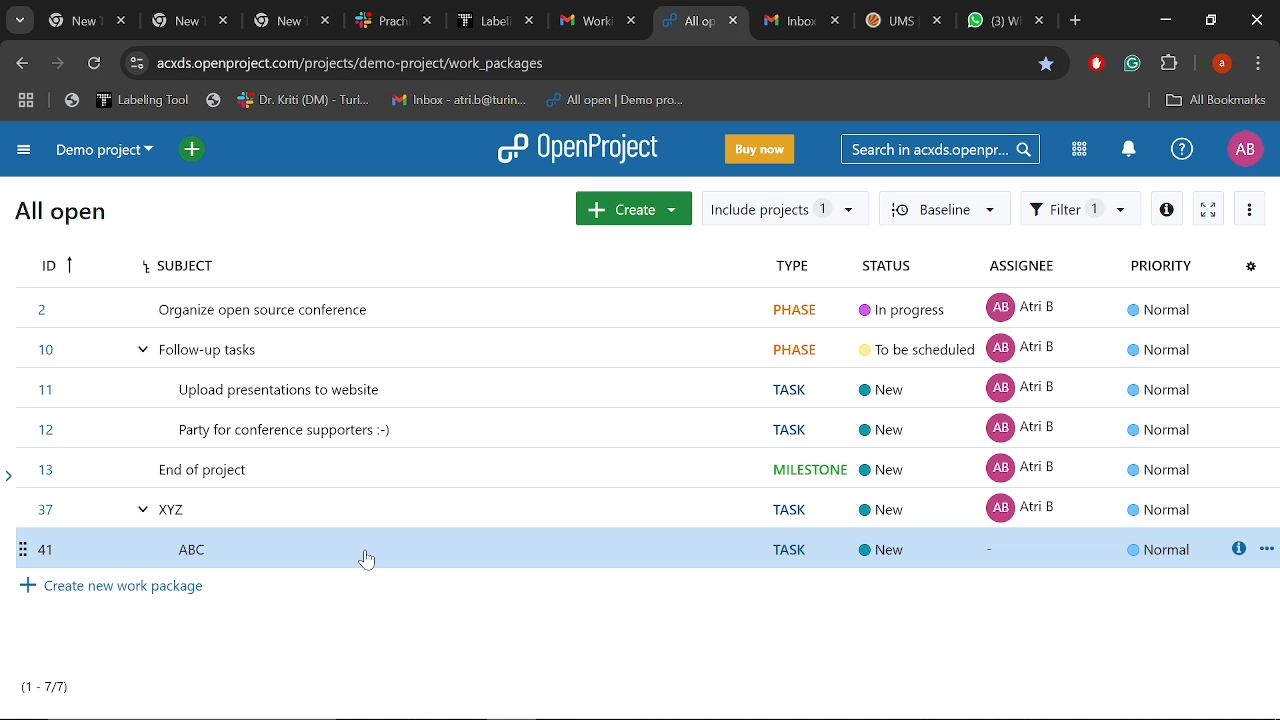  I want to click on Control and customize chrome, so click(1260, 64).